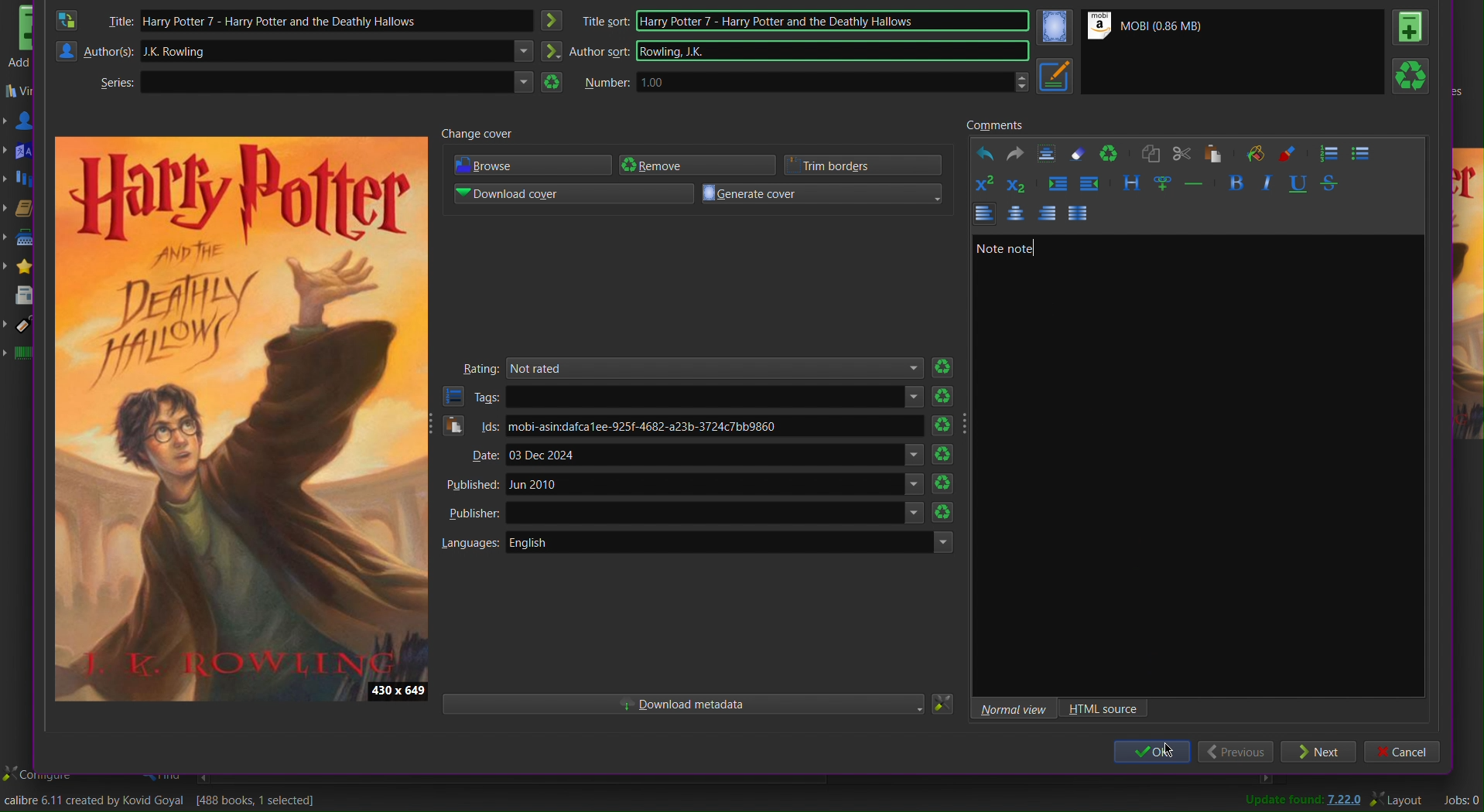  What do you see at coordinates (713, 486) in the screenshot?
I see `Jun 2010` at bounding box center [713, 486].